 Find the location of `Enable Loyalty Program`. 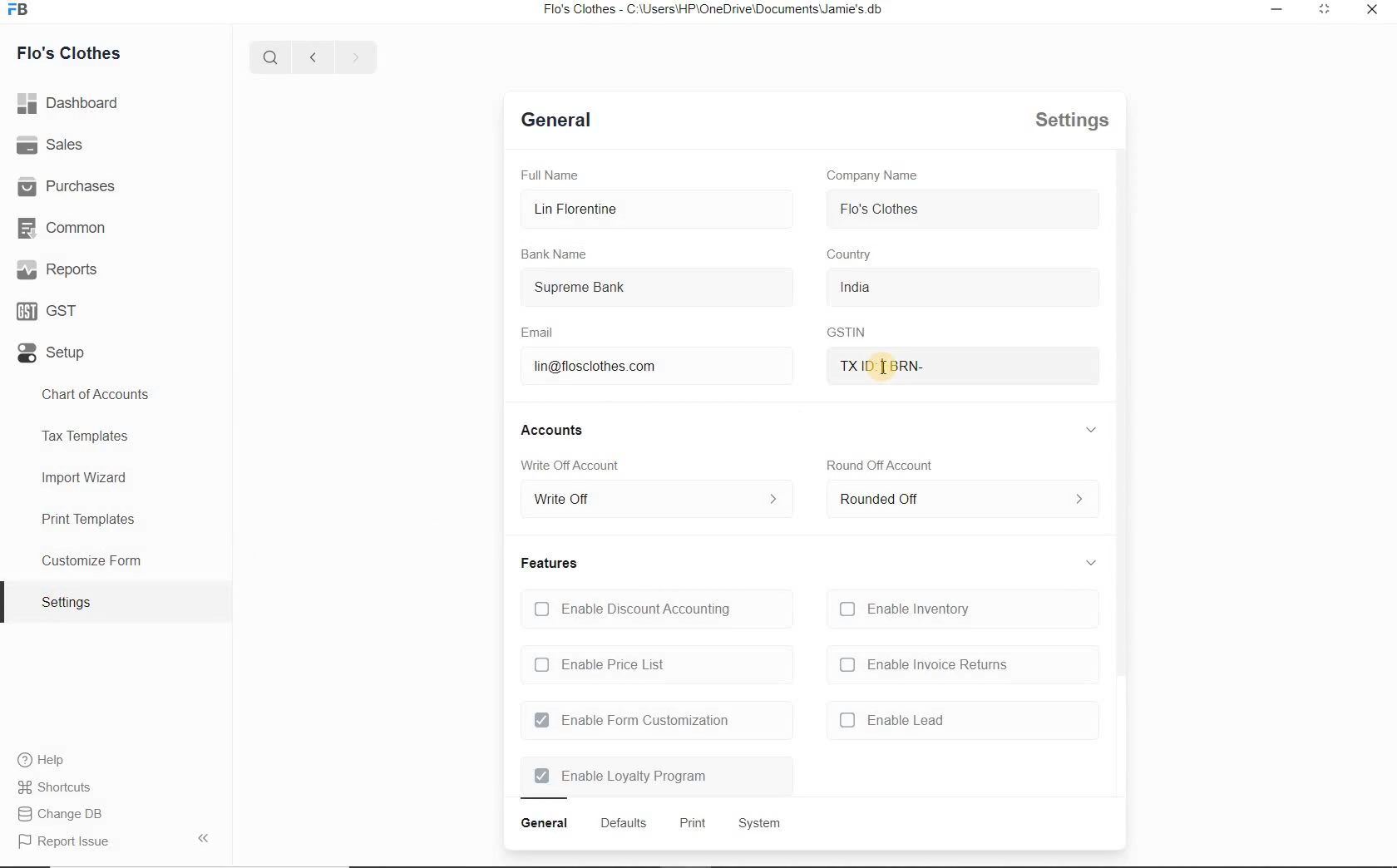

Enable Loyalty Program is located at coordinates (621, 777).